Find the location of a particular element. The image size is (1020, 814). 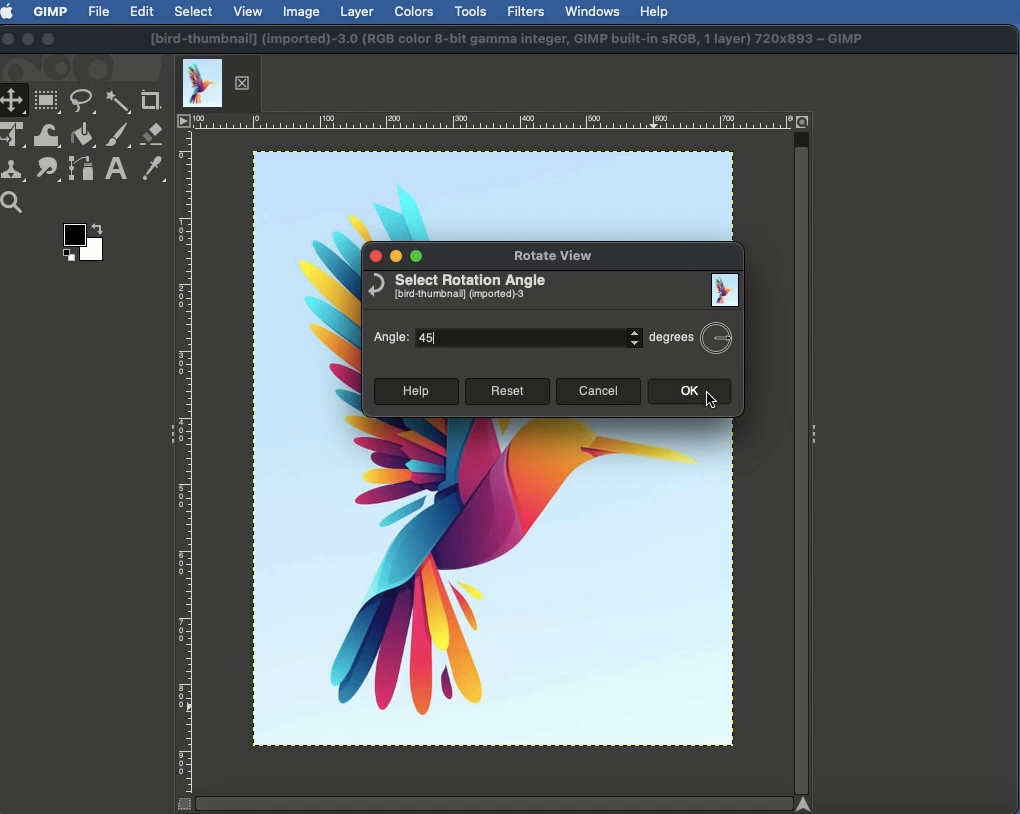

Paint is located at coordinates (116, 137).